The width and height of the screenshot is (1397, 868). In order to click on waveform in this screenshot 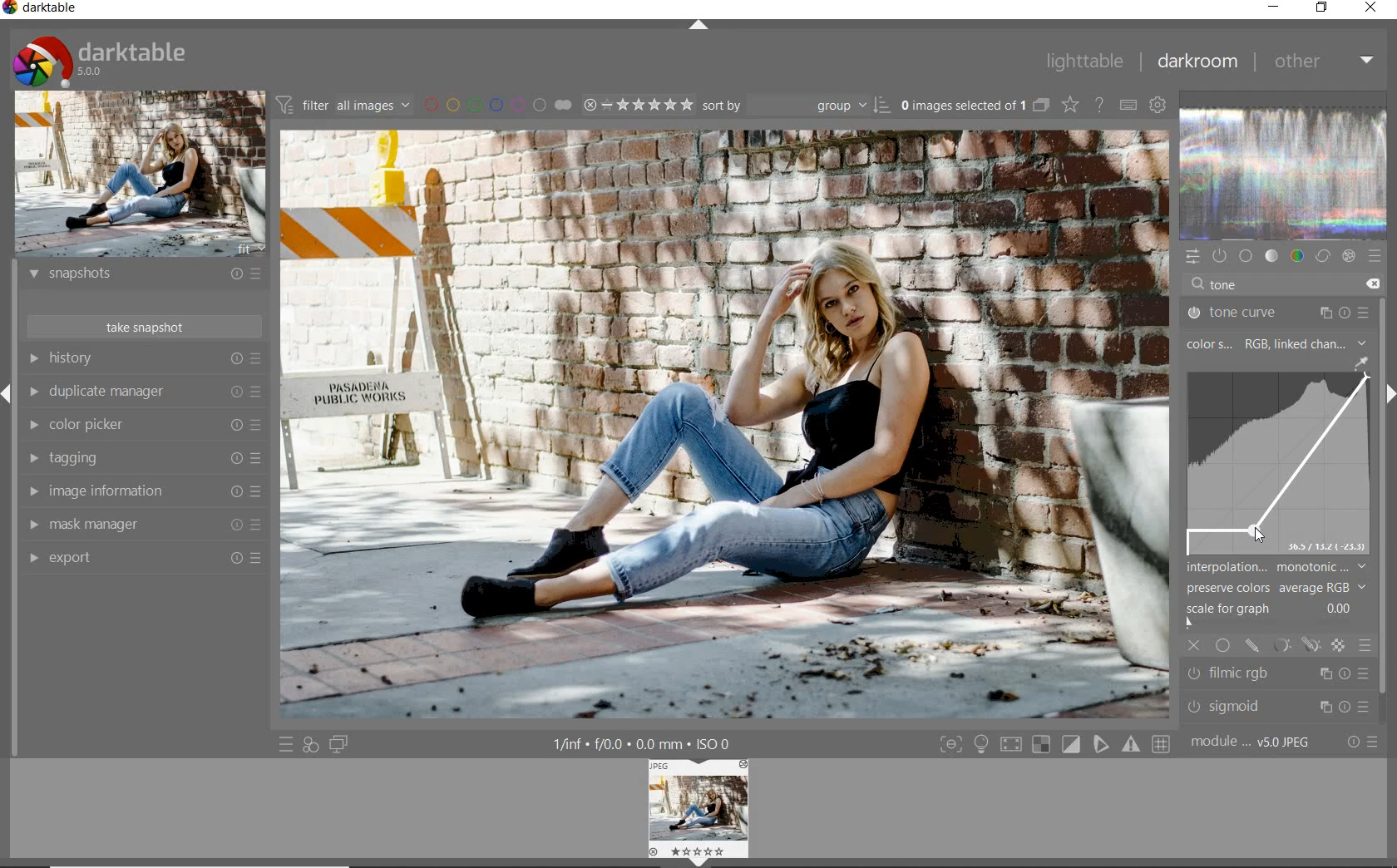, I will do `click(1284, 175)`.